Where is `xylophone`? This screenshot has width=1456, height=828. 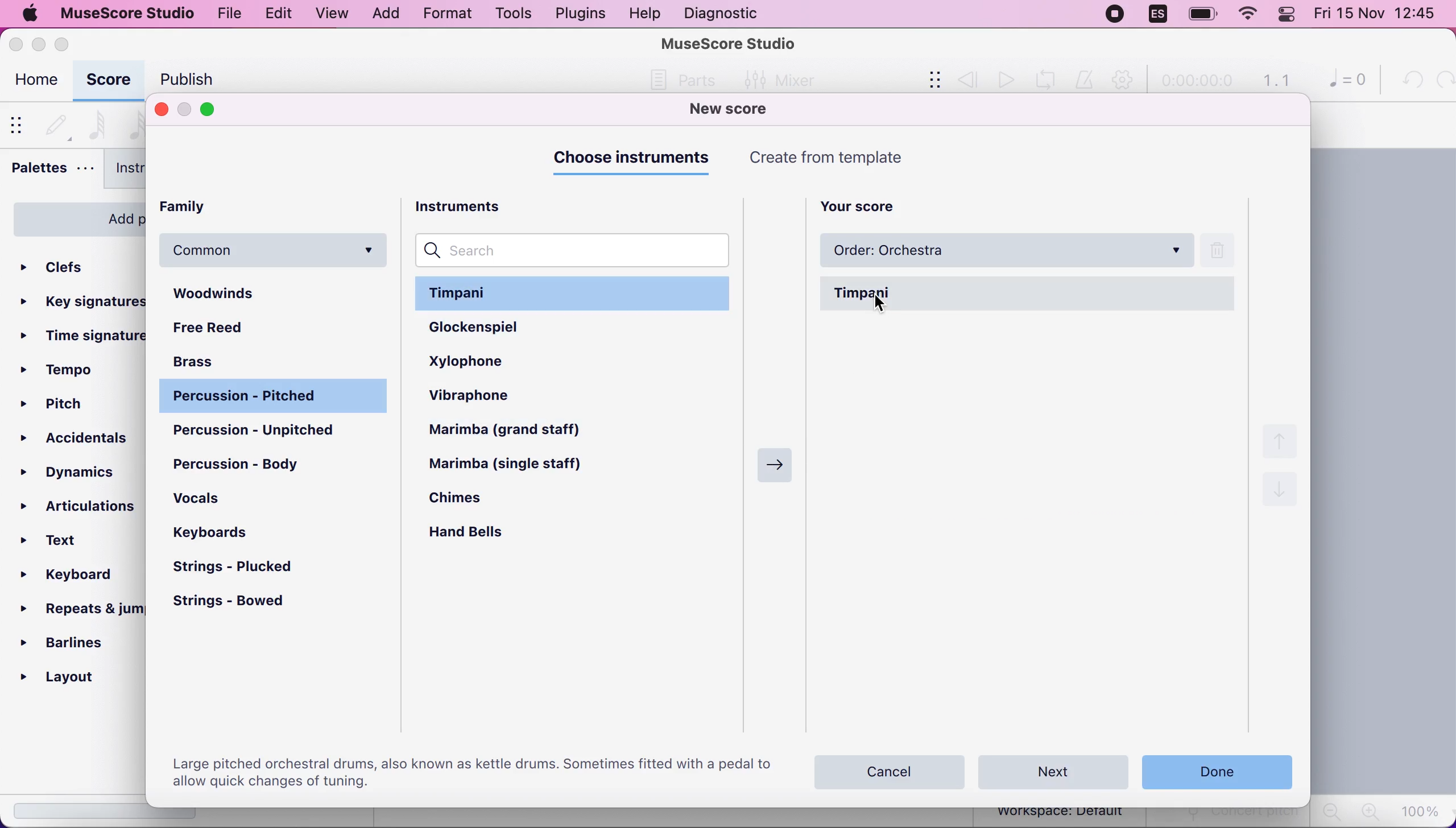
xylophone is located at coordinates (490, 360).